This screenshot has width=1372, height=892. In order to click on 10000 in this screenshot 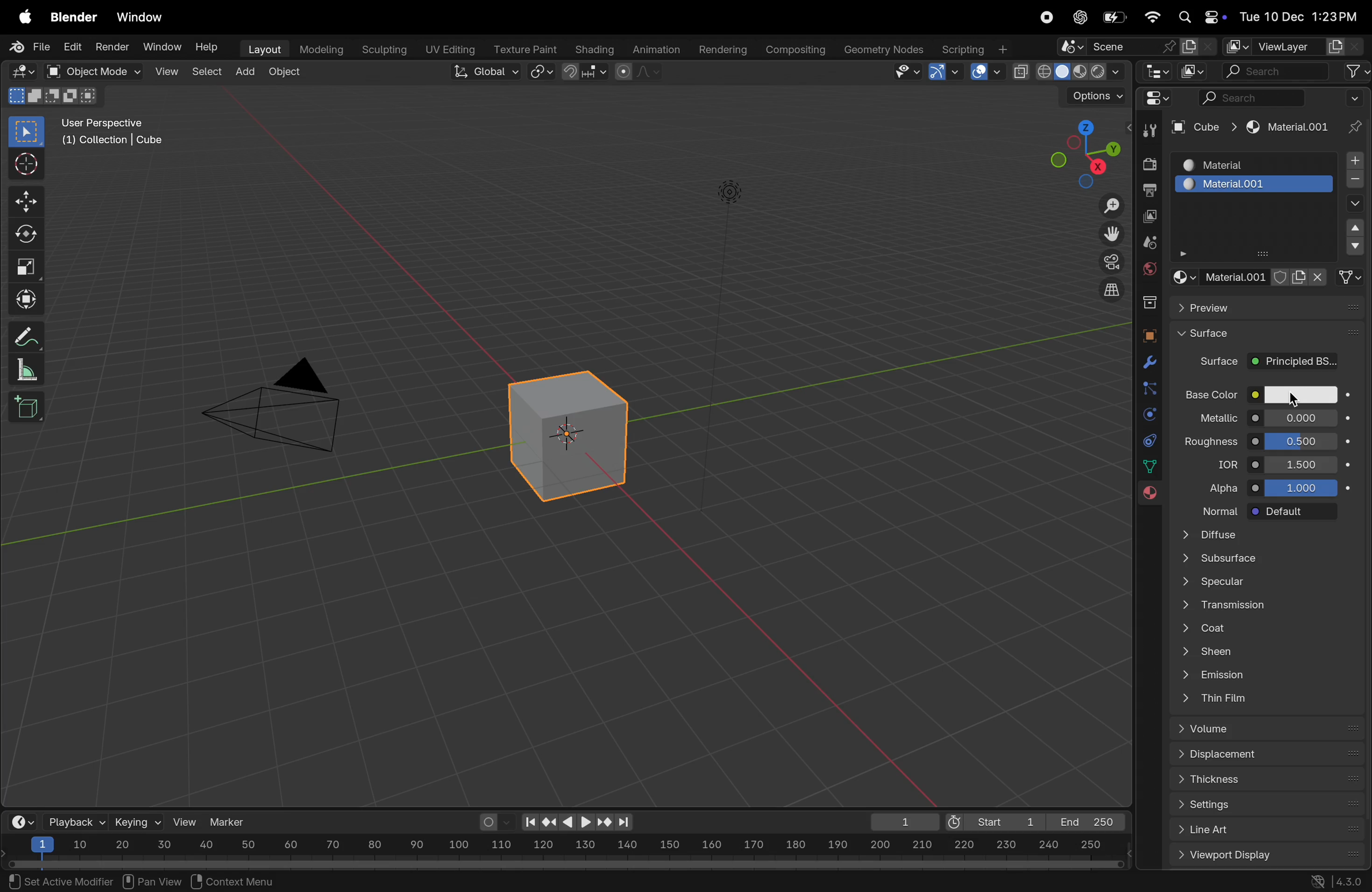, I will do `click(1301, 487)`.